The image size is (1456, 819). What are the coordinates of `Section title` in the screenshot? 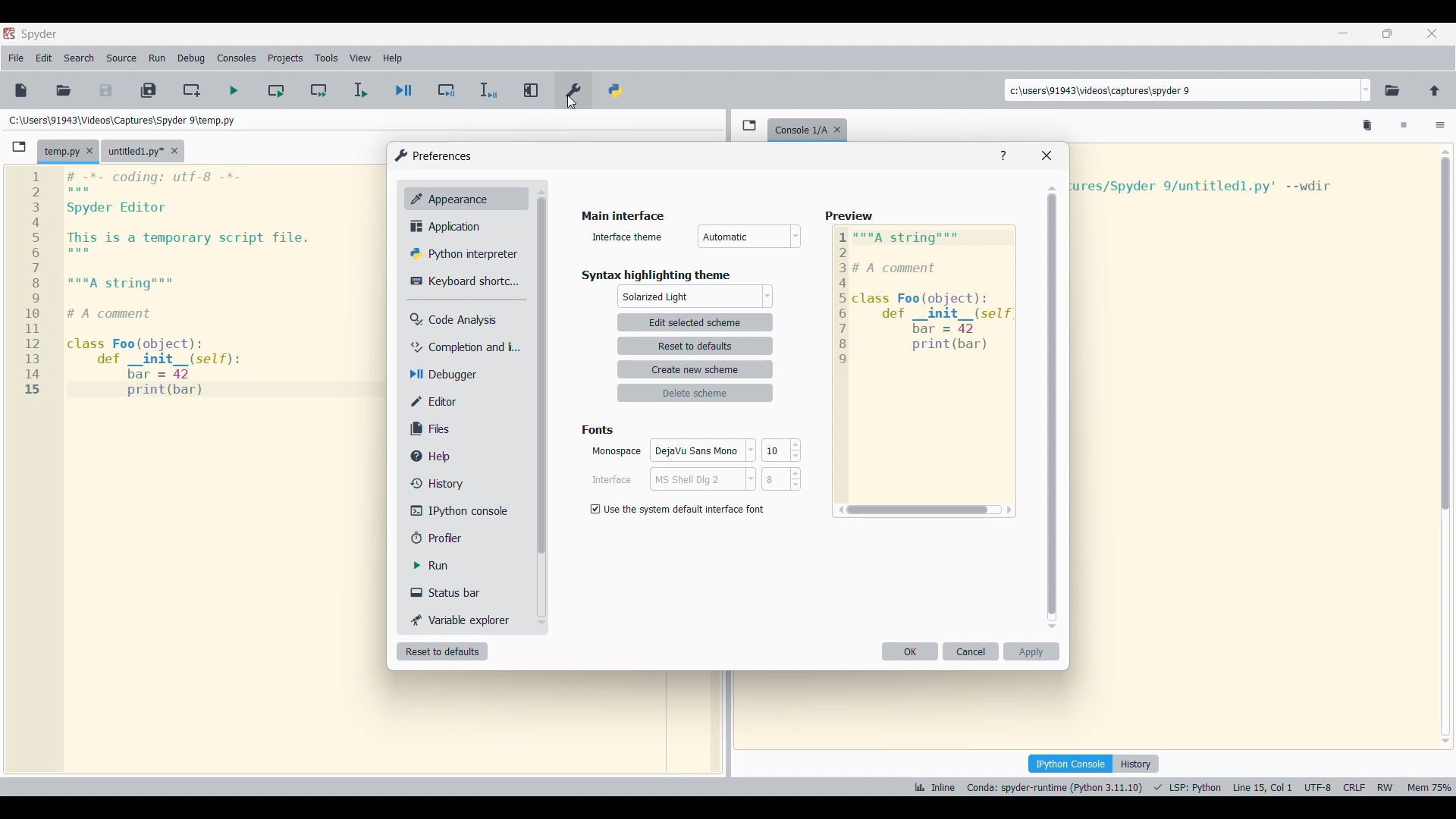 It's located at (656, 275).